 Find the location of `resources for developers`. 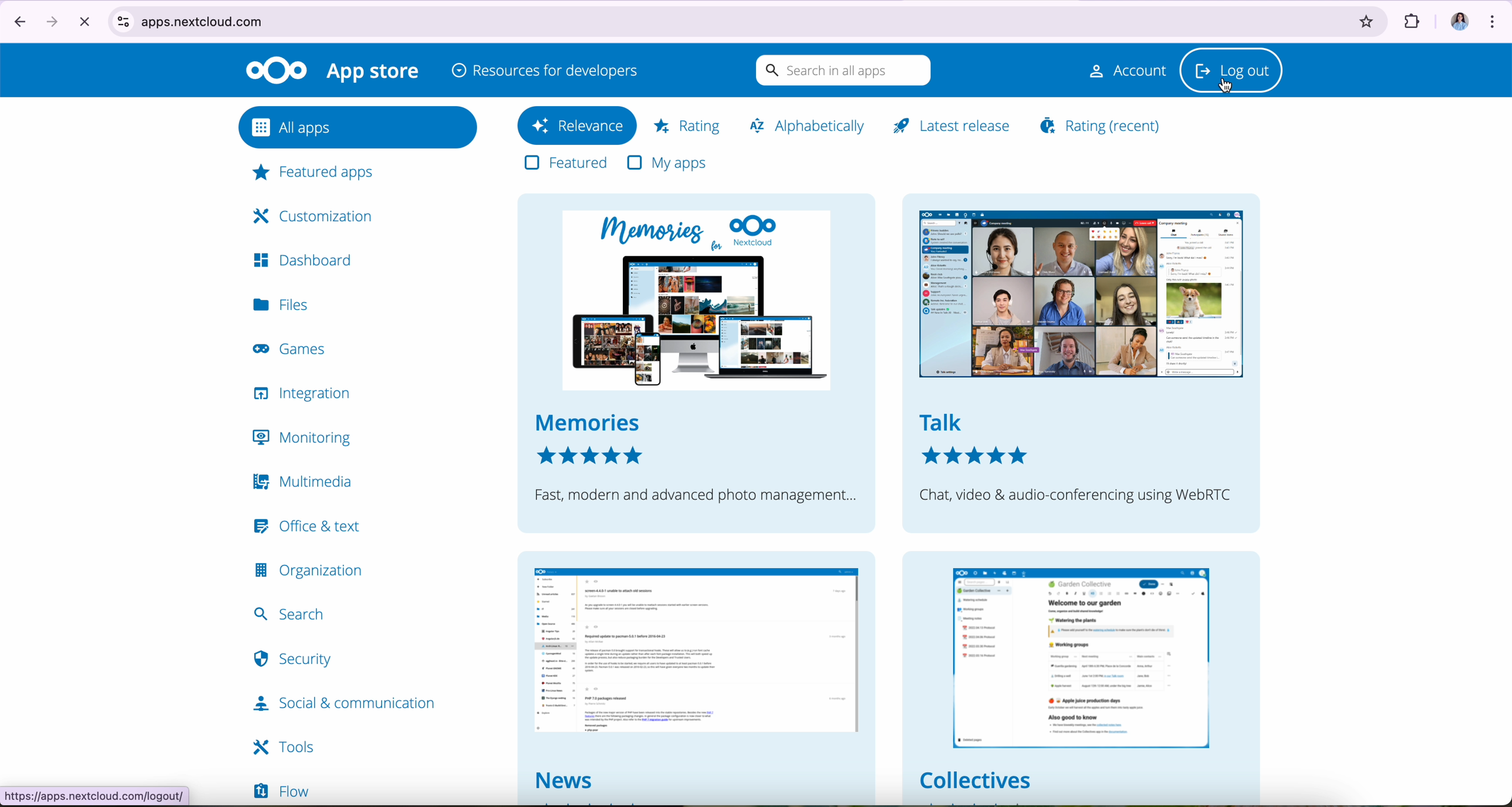

resources for developers is located at coordinates (545, 72).